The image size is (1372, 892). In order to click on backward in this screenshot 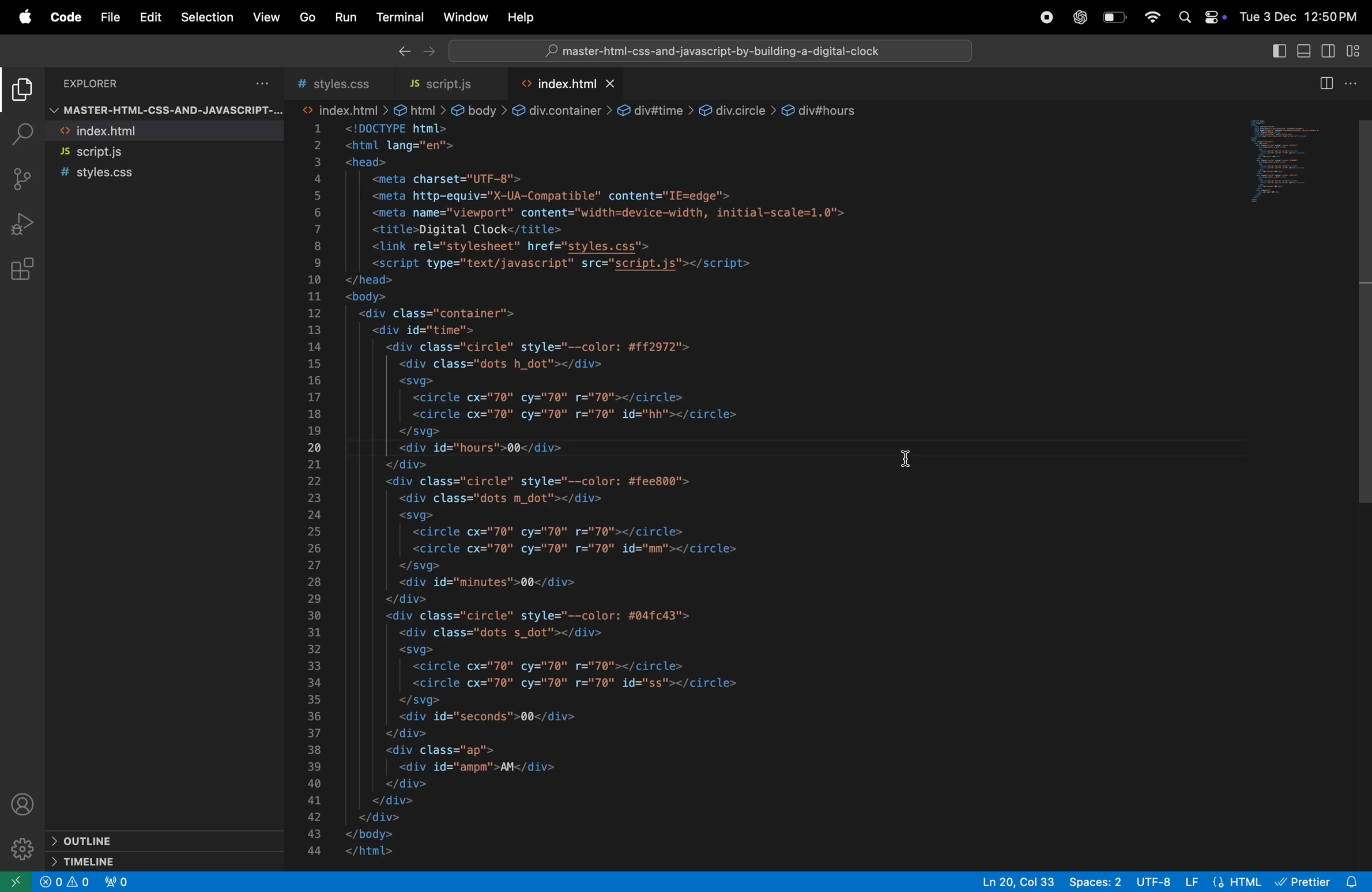, I will do `click(404, 50)`.